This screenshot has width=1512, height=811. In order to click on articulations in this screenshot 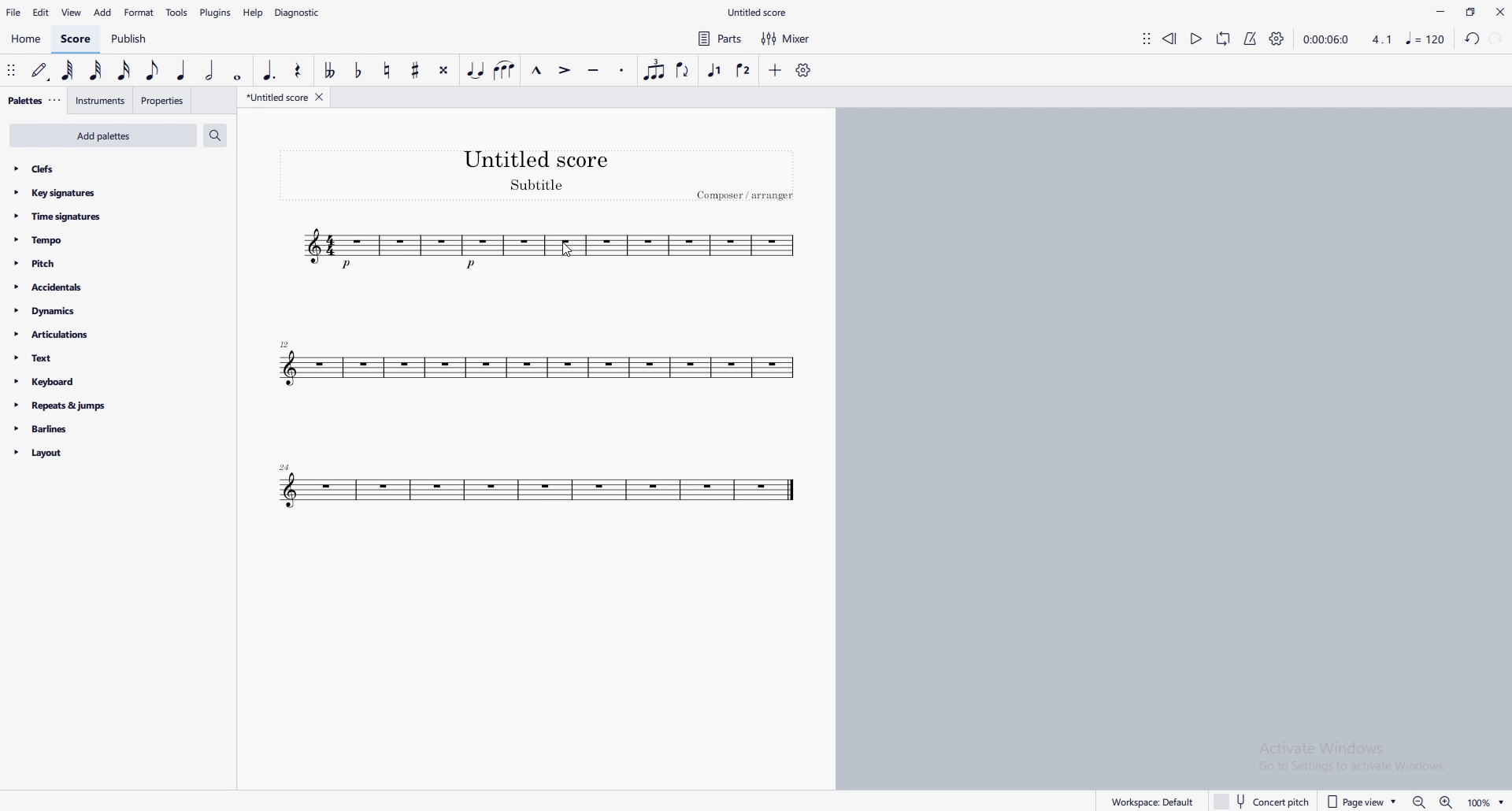, I will do `click(102, 334)`.